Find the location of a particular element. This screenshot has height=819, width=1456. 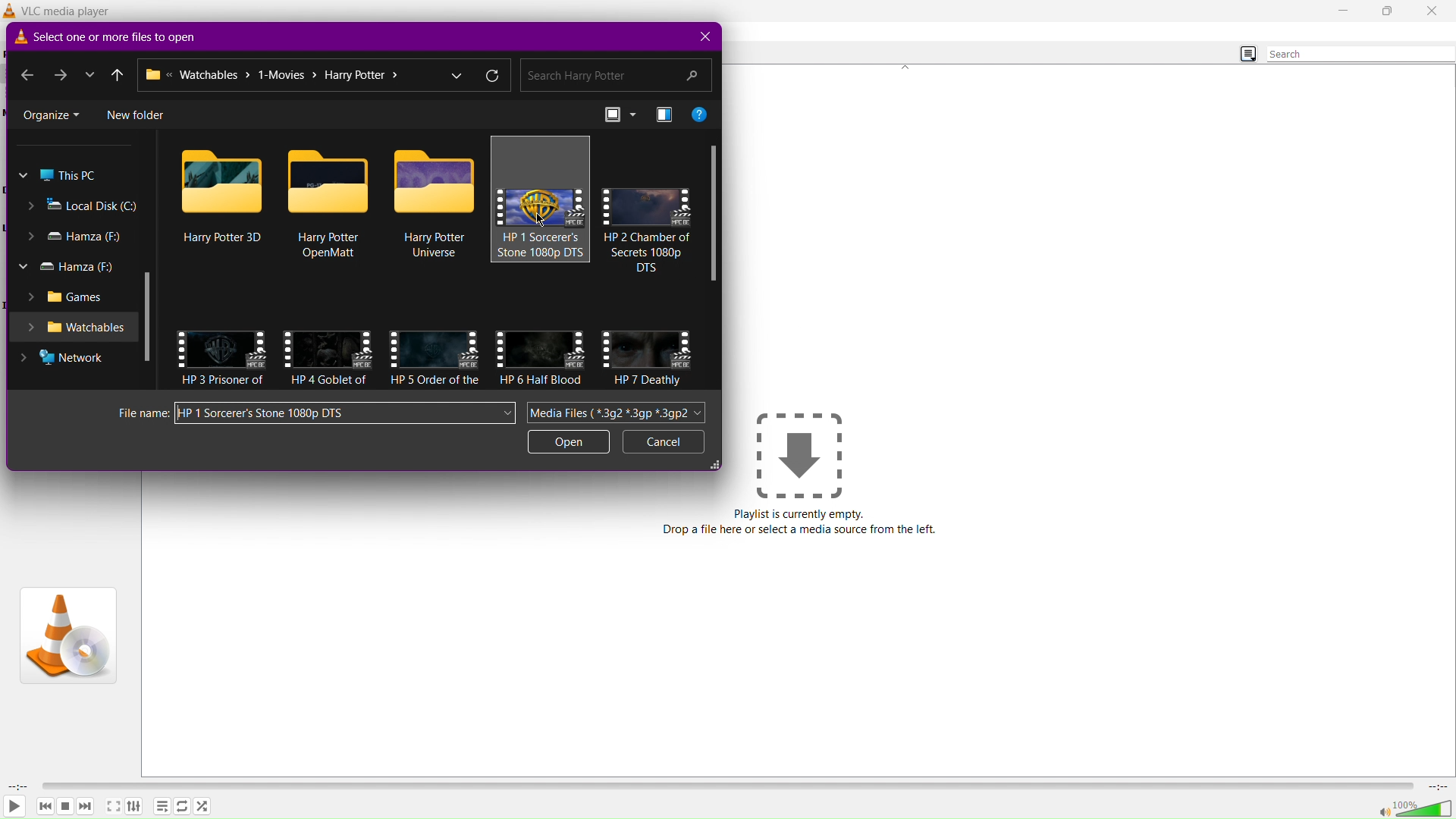

Select one or more files to open is located at coordinates (121, 37).